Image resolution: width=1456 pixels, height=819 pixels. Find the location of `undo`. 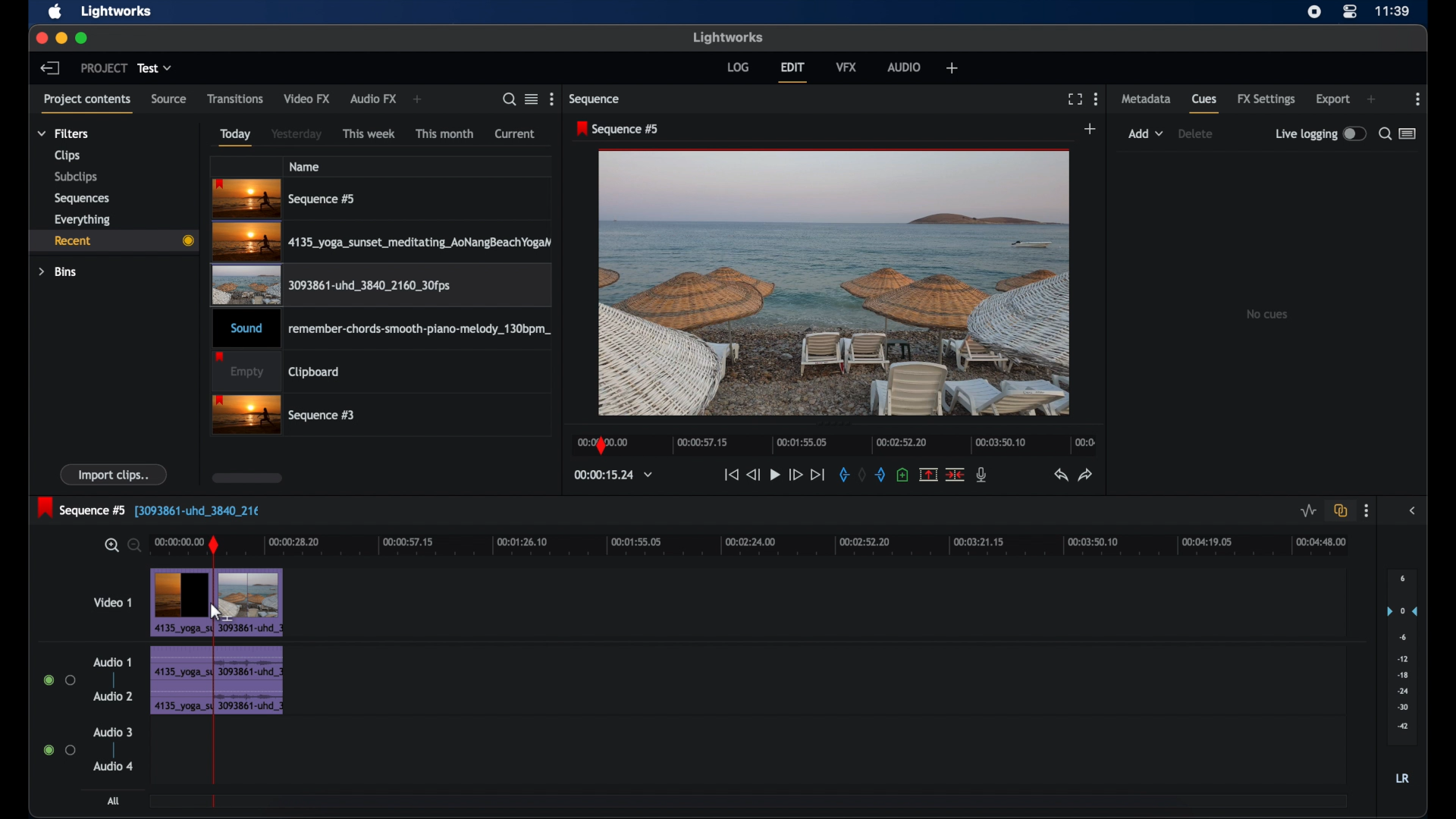

undo is located at coordinates (1059, 475).